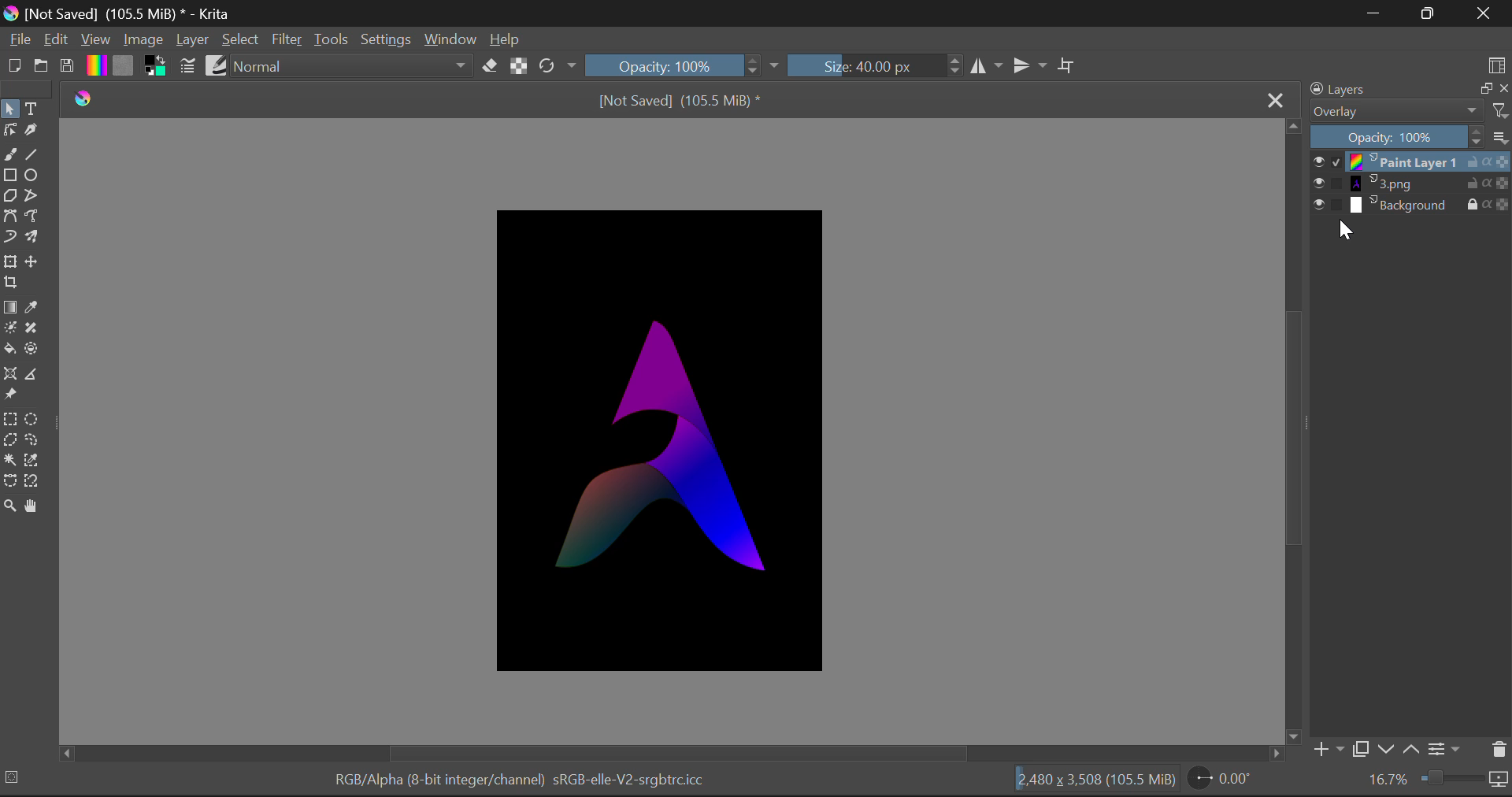 The width and height of the screenshot is (1512, 797). Describe the element at coordinates (11, 506) in the screenshot. I see `Zoom` at that location.